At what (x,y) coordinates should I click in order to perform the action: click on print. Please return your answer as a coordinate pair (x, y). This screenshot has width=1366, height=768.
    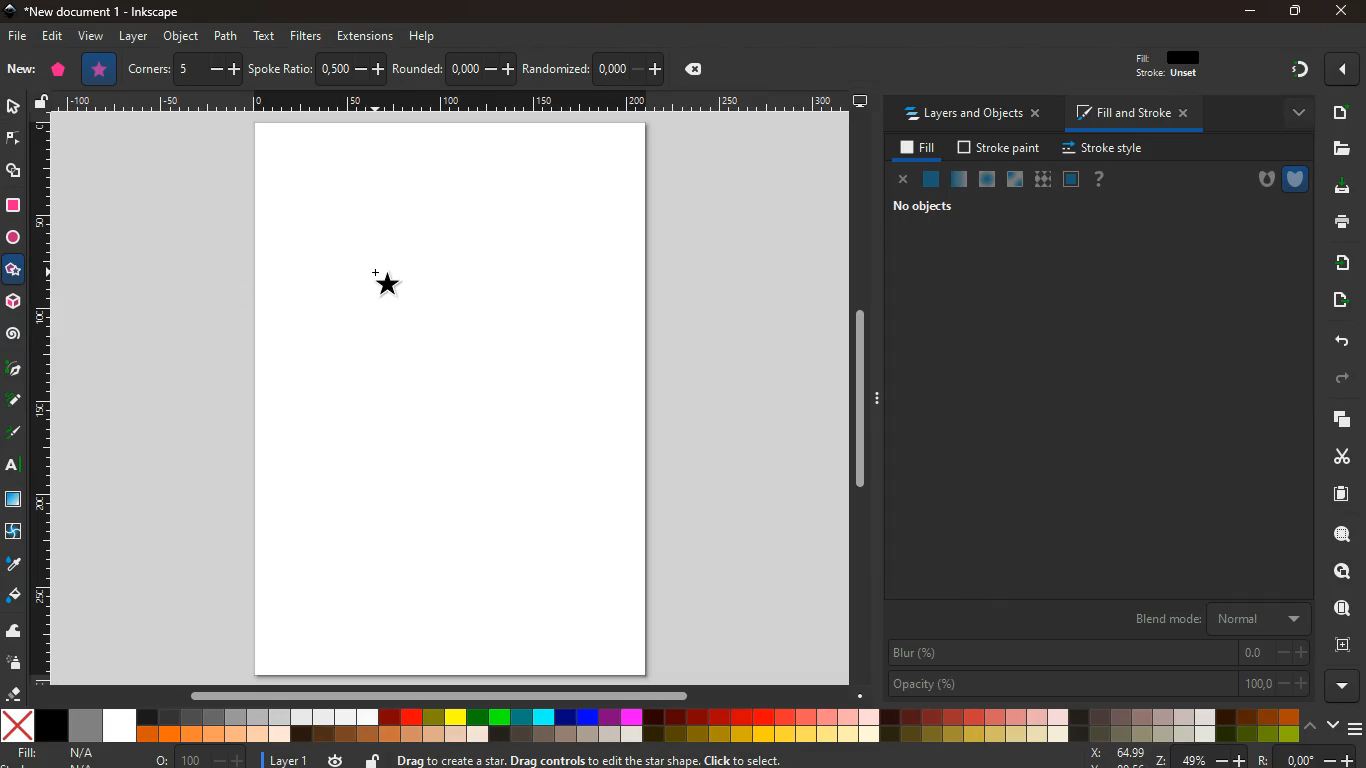
    Looking at the image, I should click on (1338, 224).